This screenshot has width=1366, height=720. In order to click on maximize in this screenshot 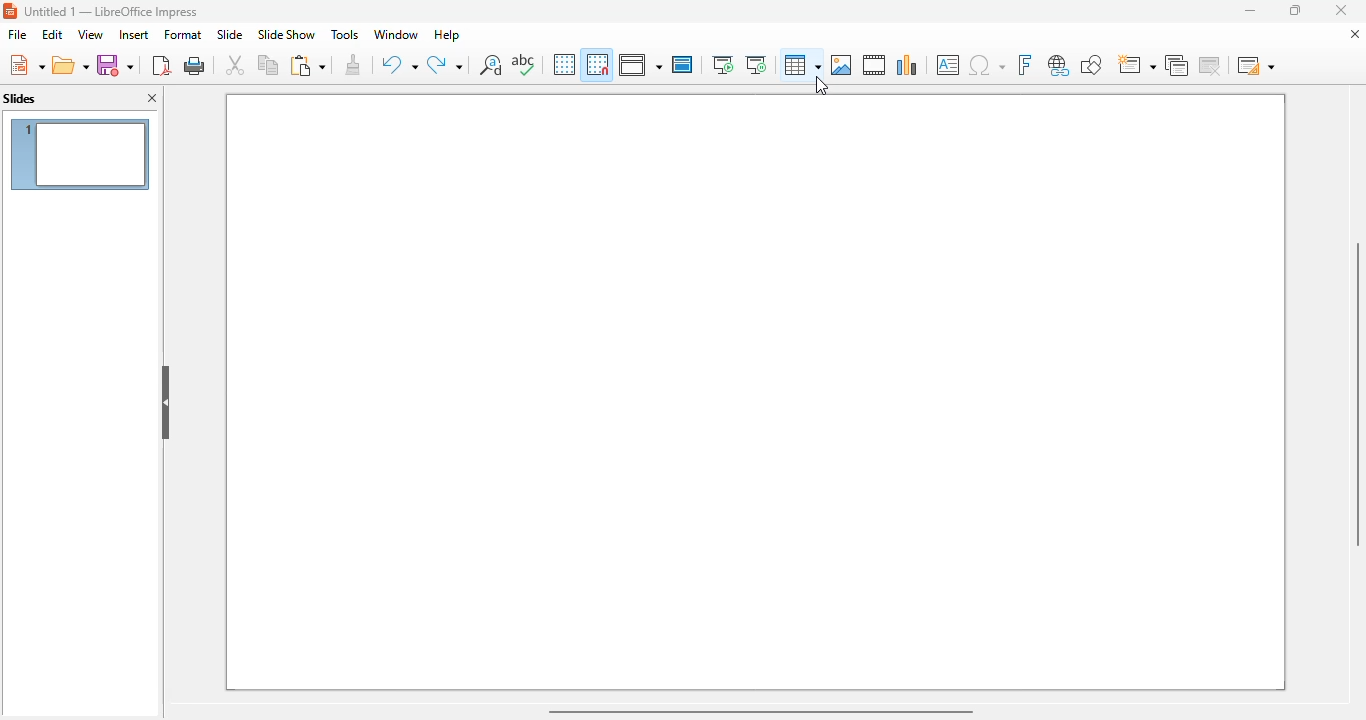, I will do `click(1297, 10)`.